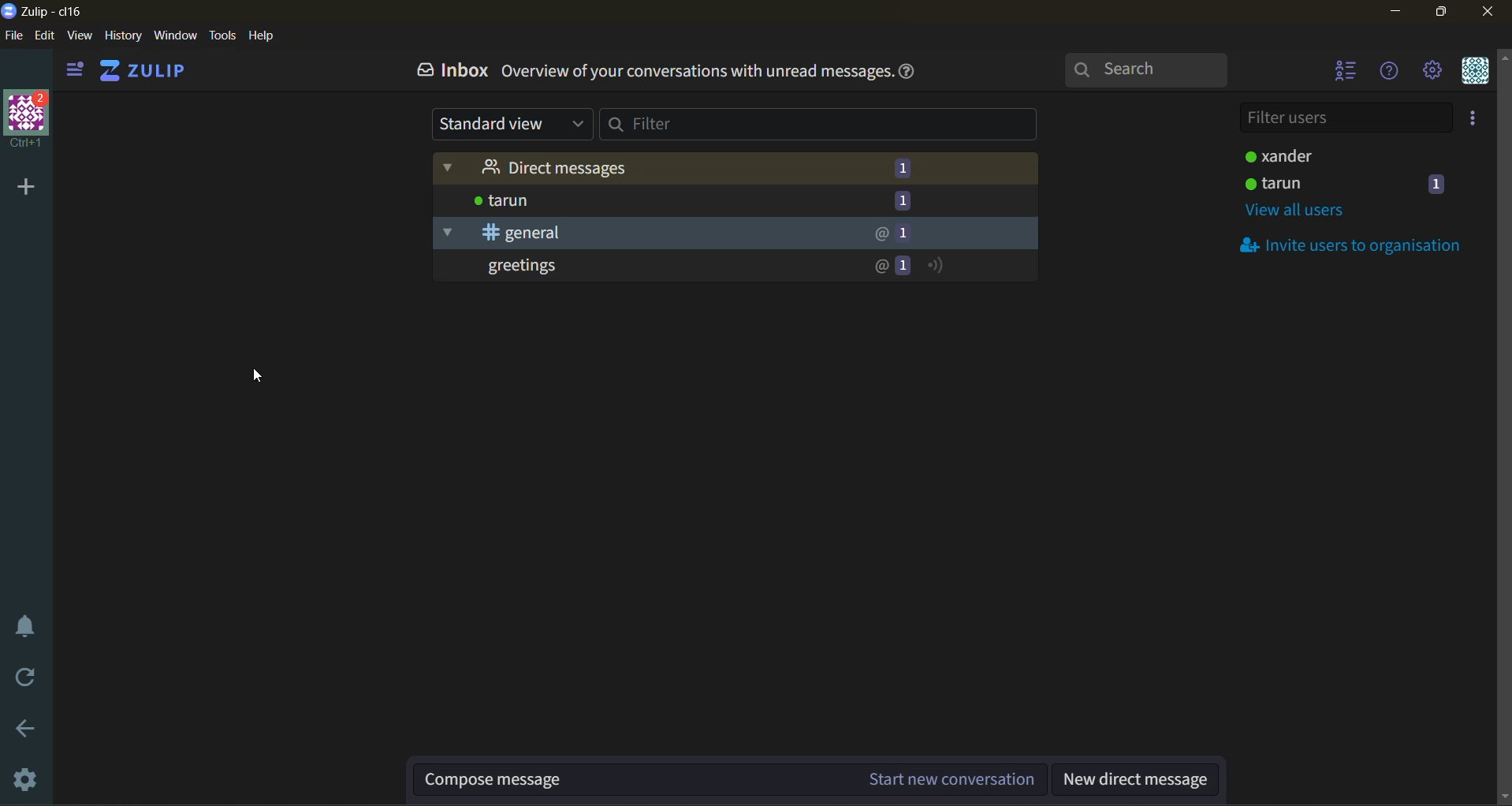 Image resolution: width=1512 pixels, height=806 pixels. Describe the element at coordinates (28, 121) in the screenshot. I see `organisation profile` at that location.